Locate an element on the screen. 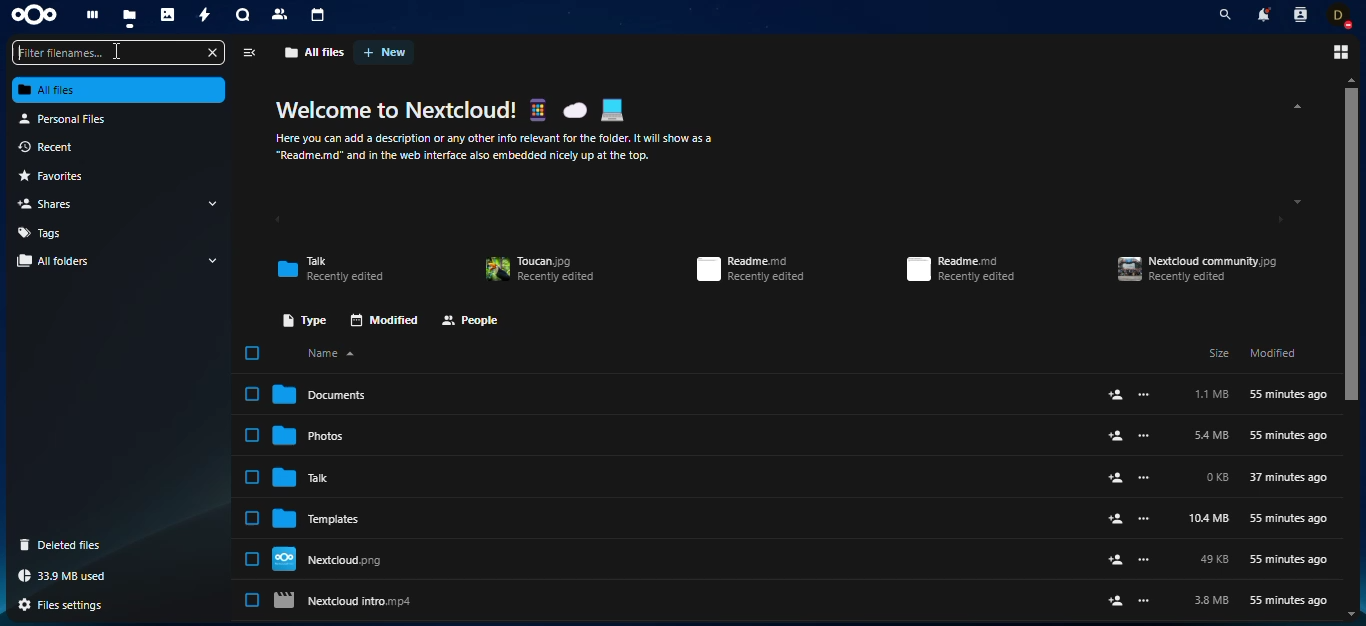 The height and width of the screenshot is (626, 1366). more is located at coordinates (1144, 478).